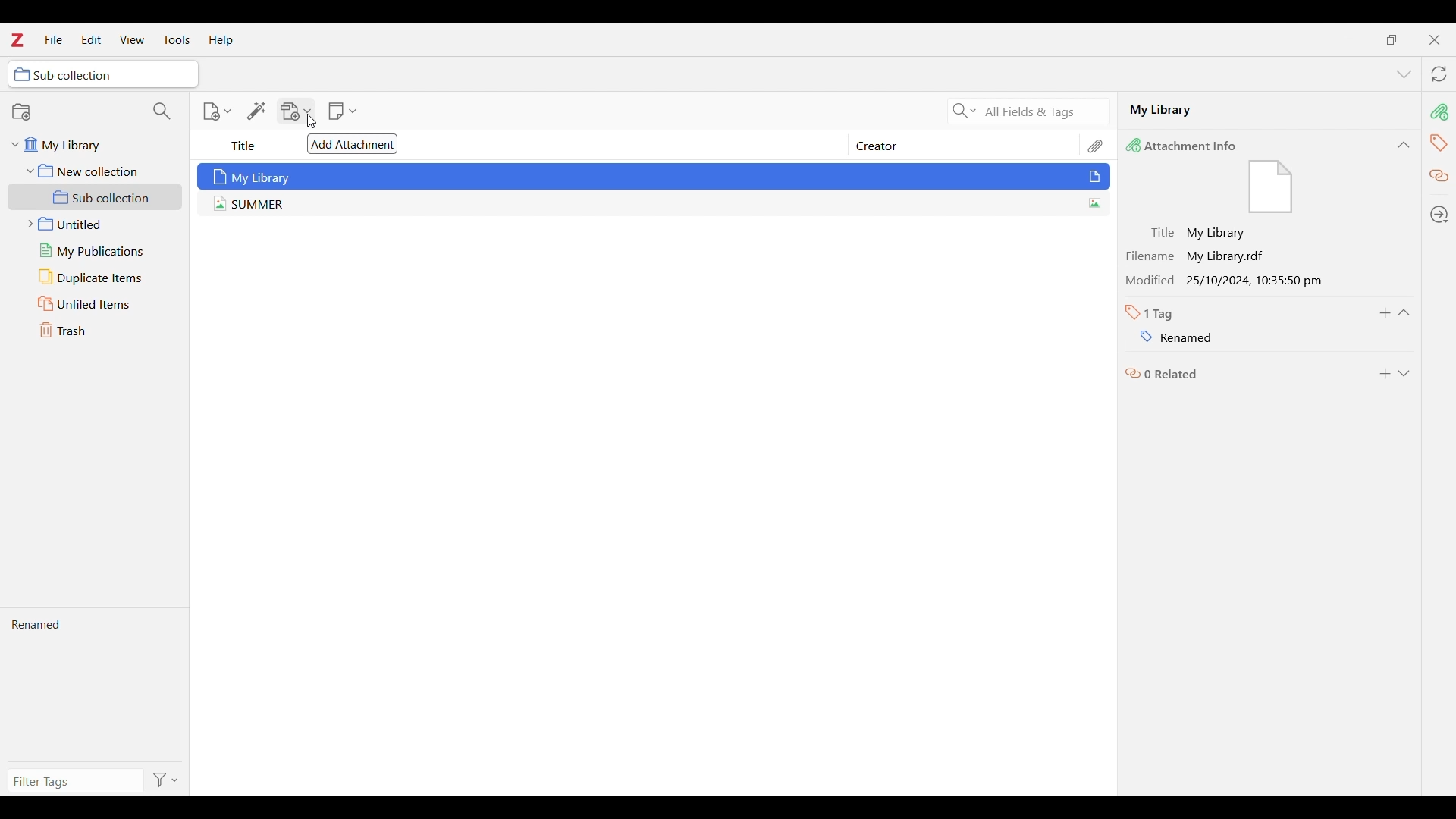 This screenshot has width=1456, height=819. I want to click on Creator column, so click(952, 145).